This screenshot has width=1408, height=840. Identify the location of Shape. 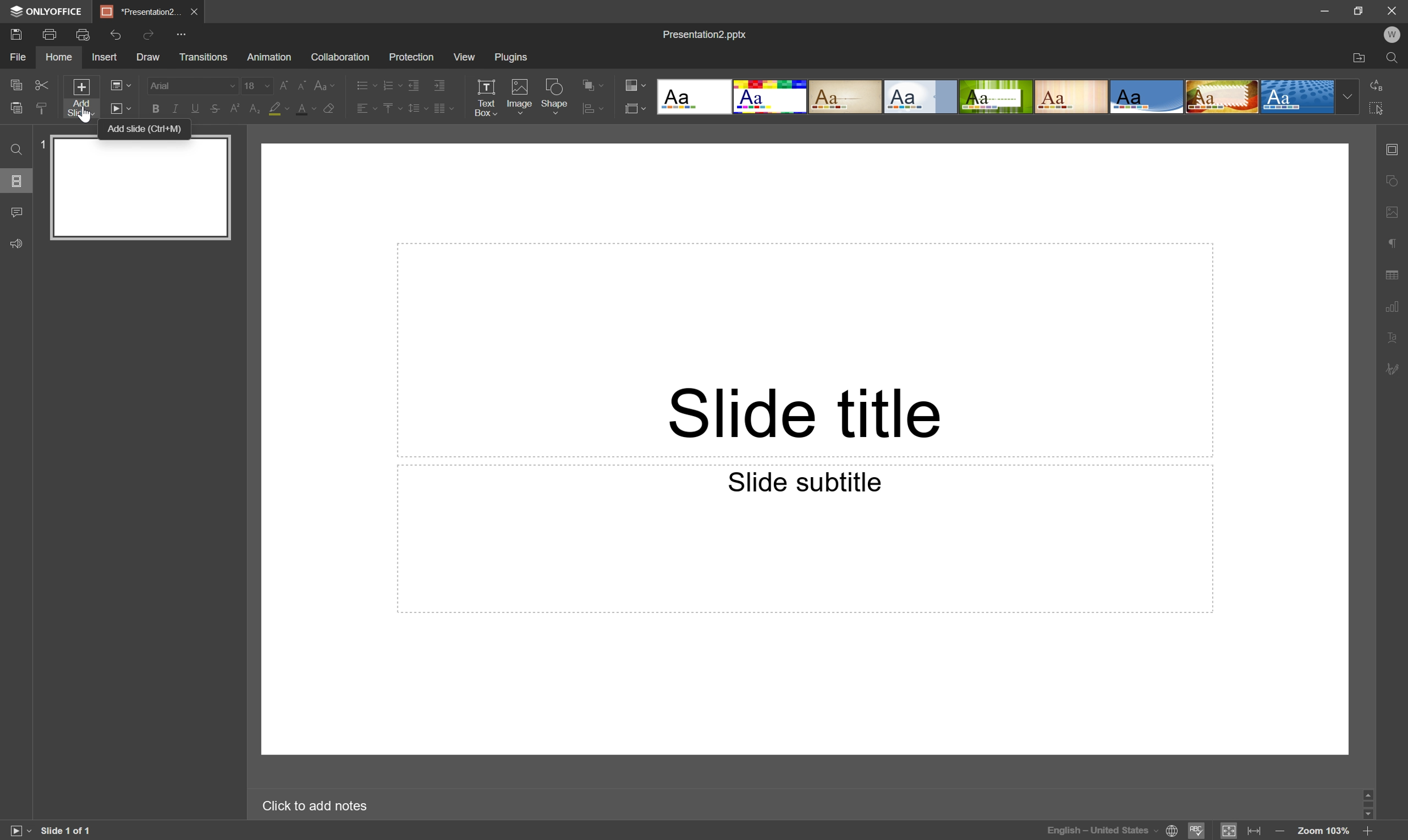
(557, 96).